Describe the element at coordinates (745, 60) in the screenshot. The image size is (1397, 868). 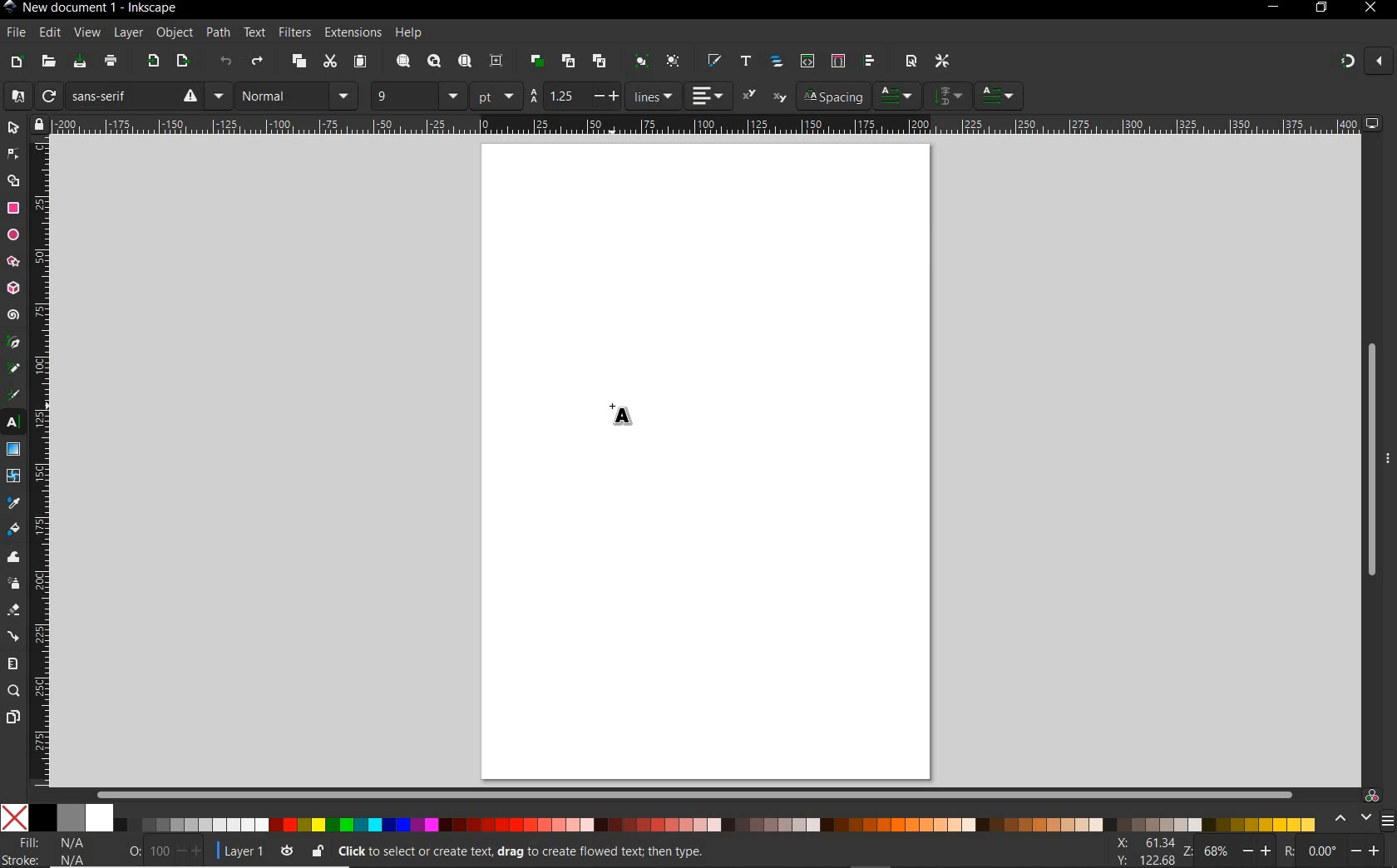
I see `open text` at that location.